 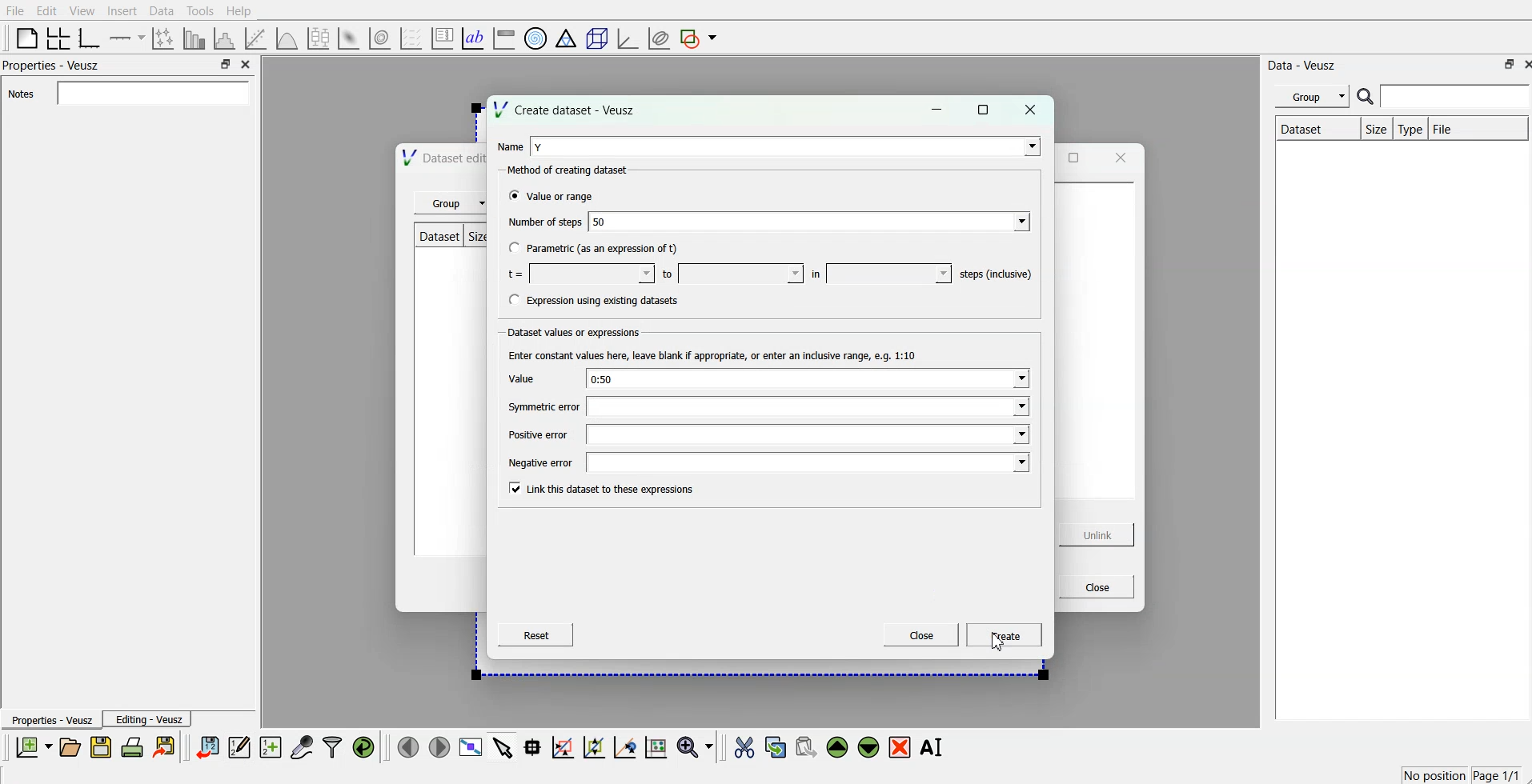 What do you see at coordinates (810, 222) in the screenshot?
I see `50` at bounding box center [810, 222].